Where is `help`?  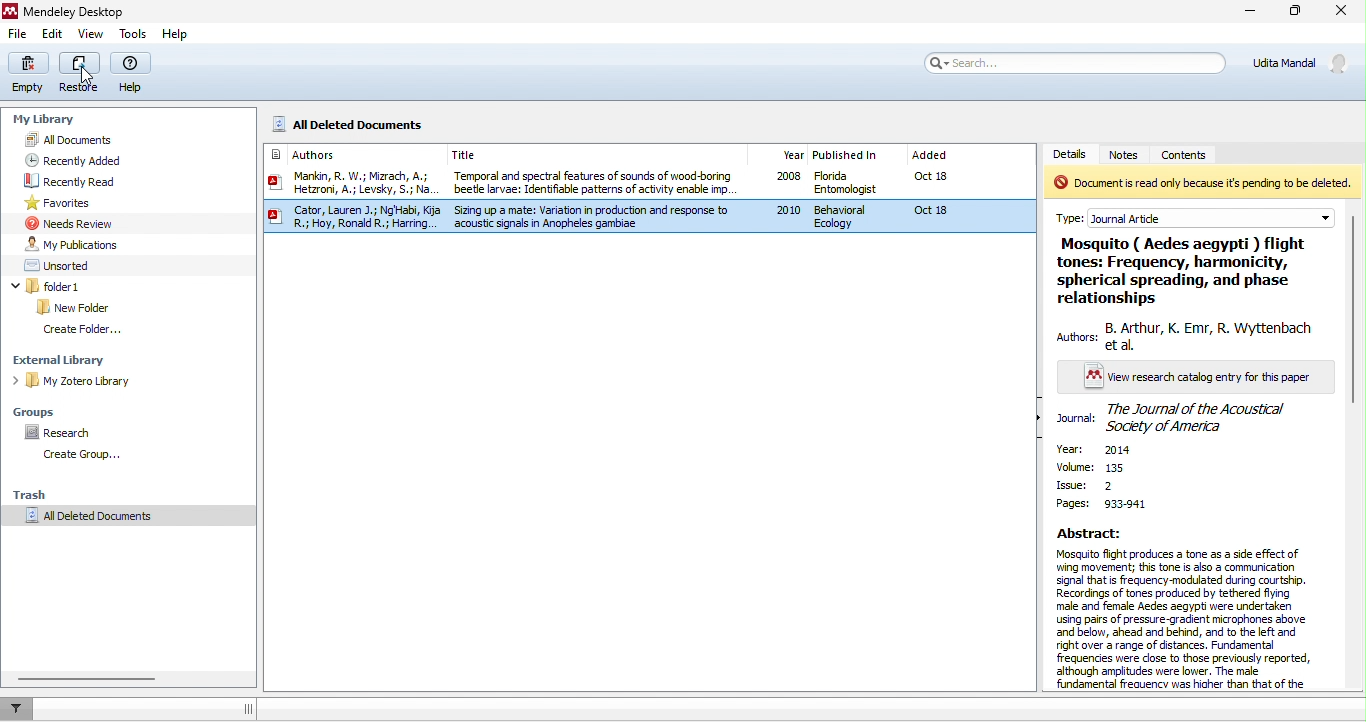 help is located at coordinates (133, 74).